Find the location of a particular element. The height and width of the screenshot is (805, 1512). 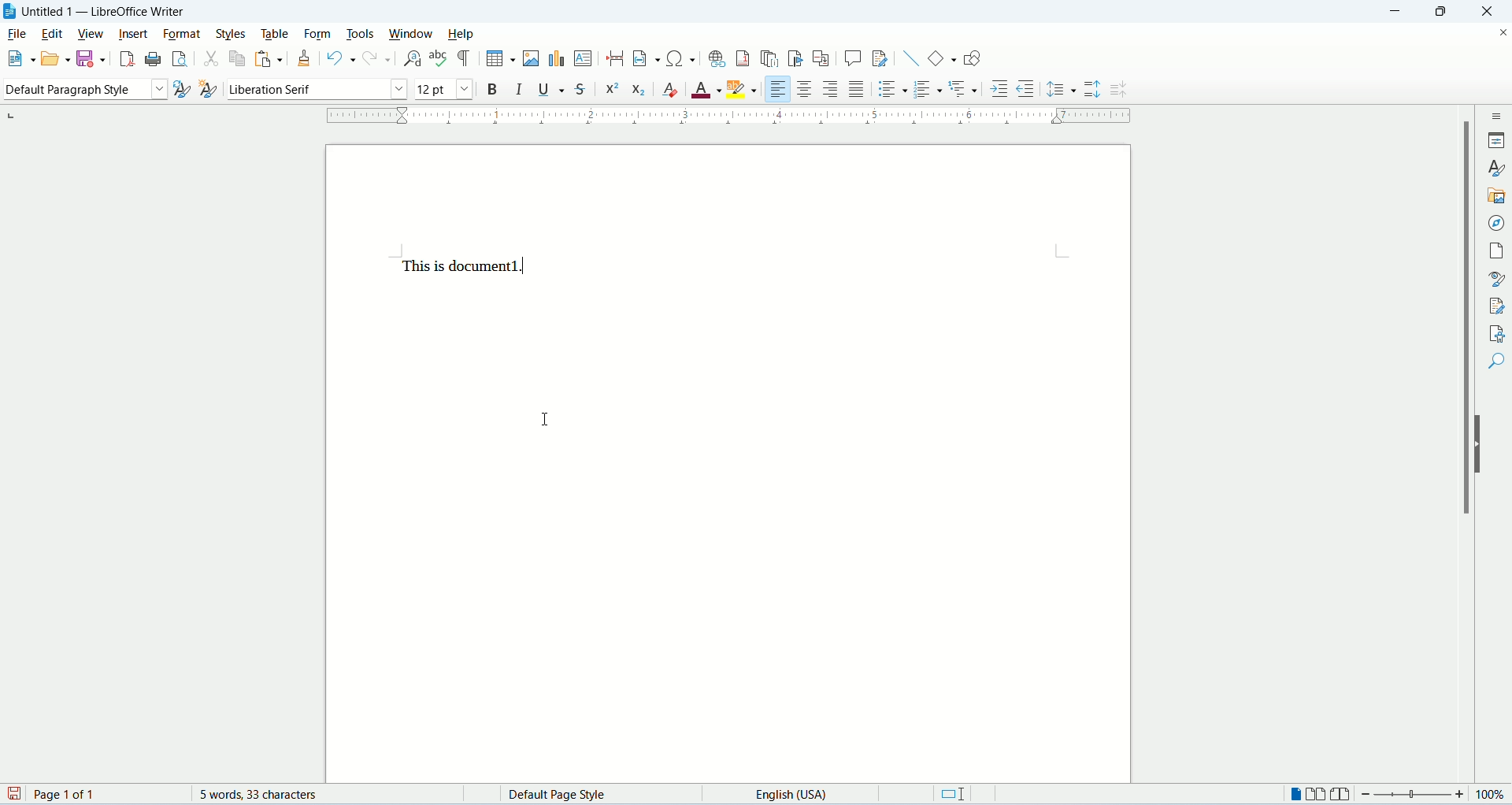

format is located at coordinates (180, 33).